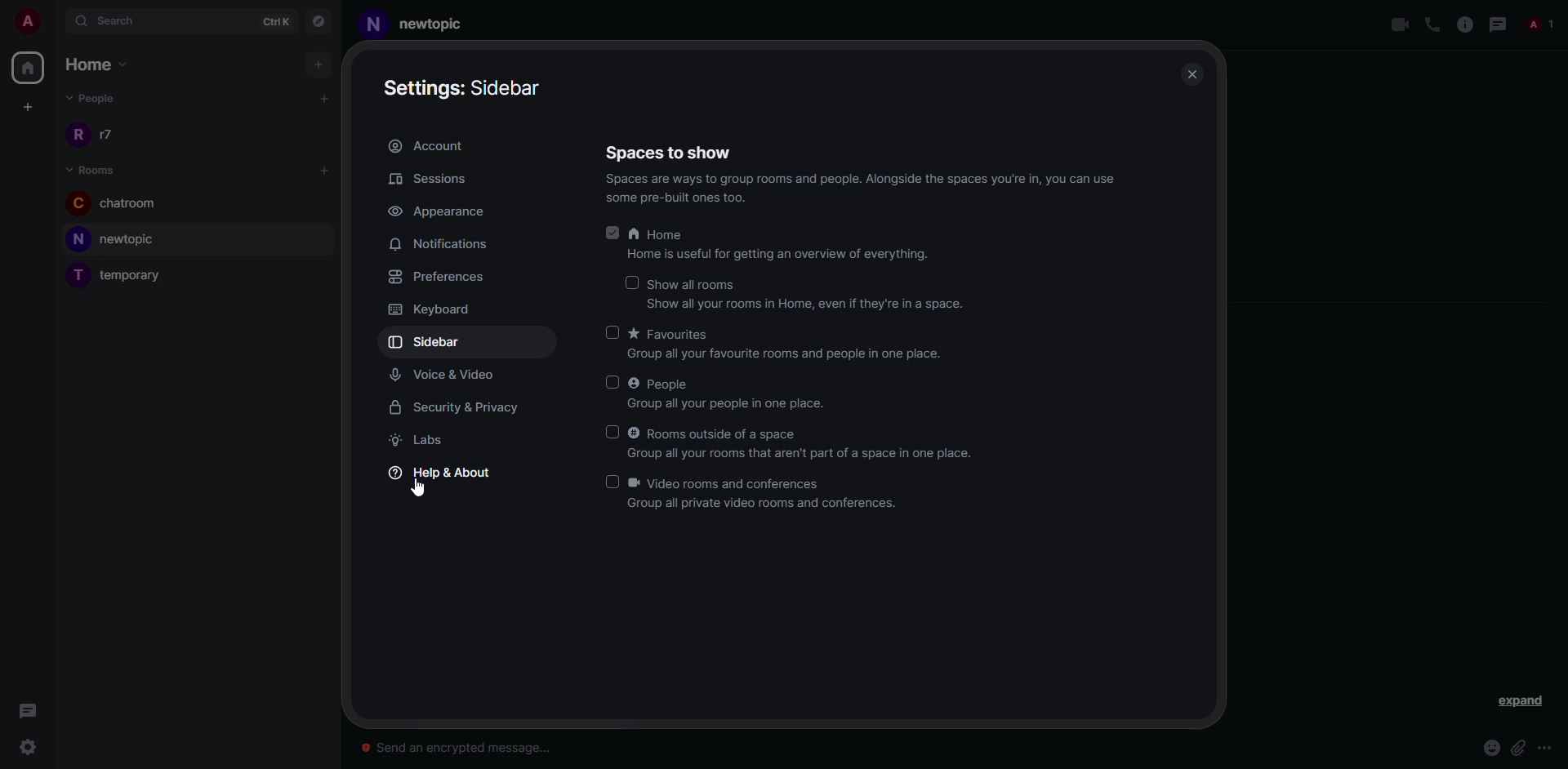  Describe the element at coordinates (733, 482) in the screenshot. I see `video rooms` at that location.